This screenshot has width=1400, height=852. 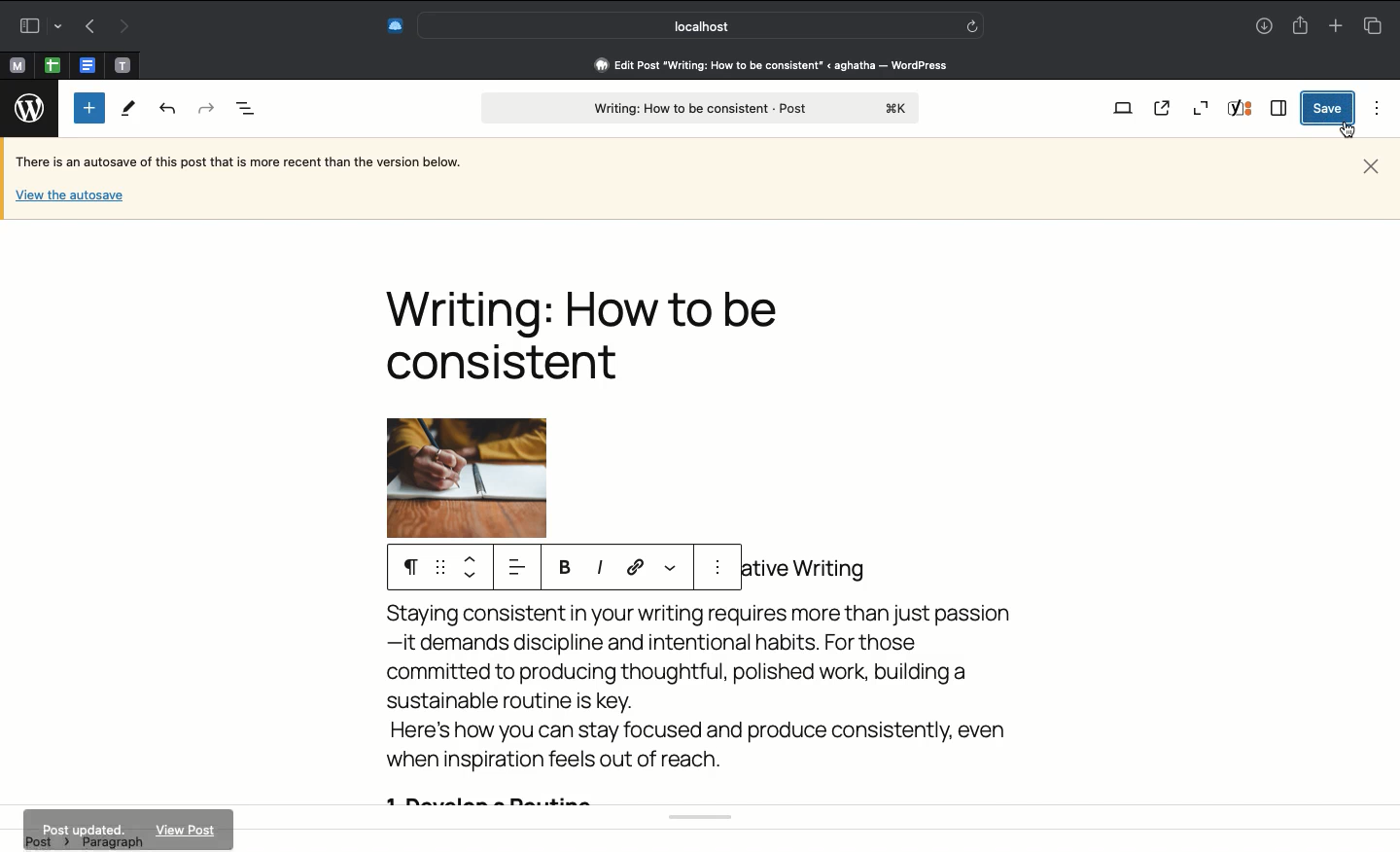 What do you see at coordinates (16, 63) in the screenshot?
I see `pinned tab` at bounding box center [16, 63].